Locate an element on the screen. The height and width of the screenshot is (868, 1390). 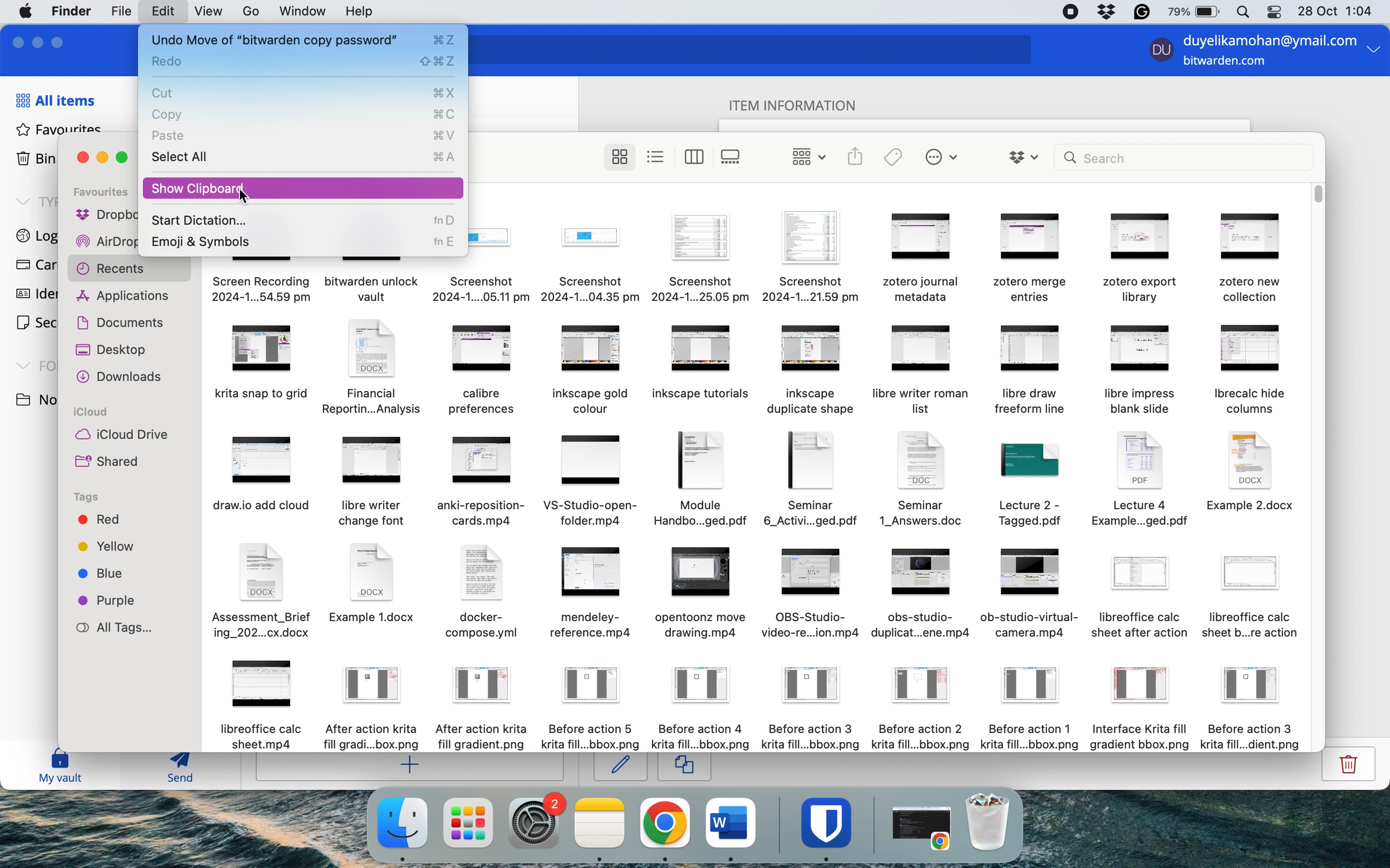
chrome is located at coordinates (665, 823).